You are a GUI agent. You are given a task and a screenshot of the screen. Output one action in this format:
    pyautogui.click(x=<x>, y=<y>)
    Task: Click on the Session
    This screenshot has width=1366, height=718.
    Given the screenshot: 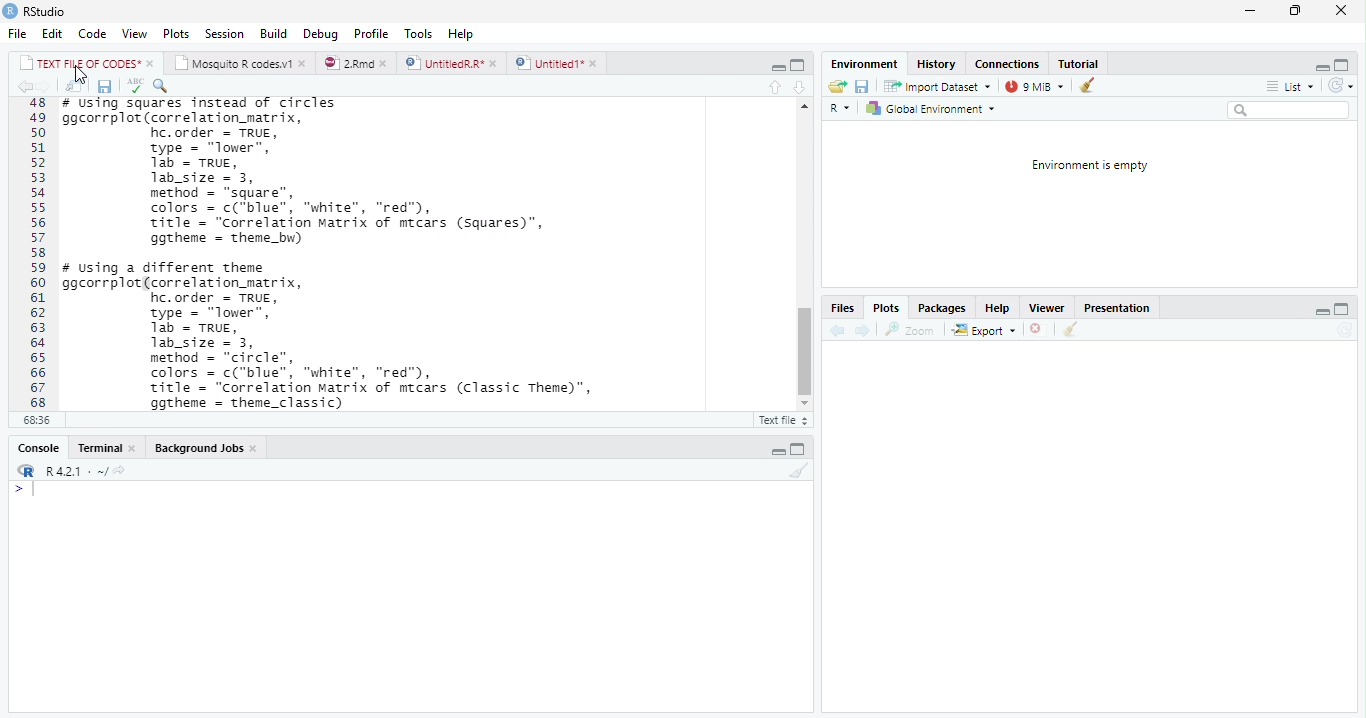 What is the action you would take?
    pyautogui.click(x=226, y=36)
    